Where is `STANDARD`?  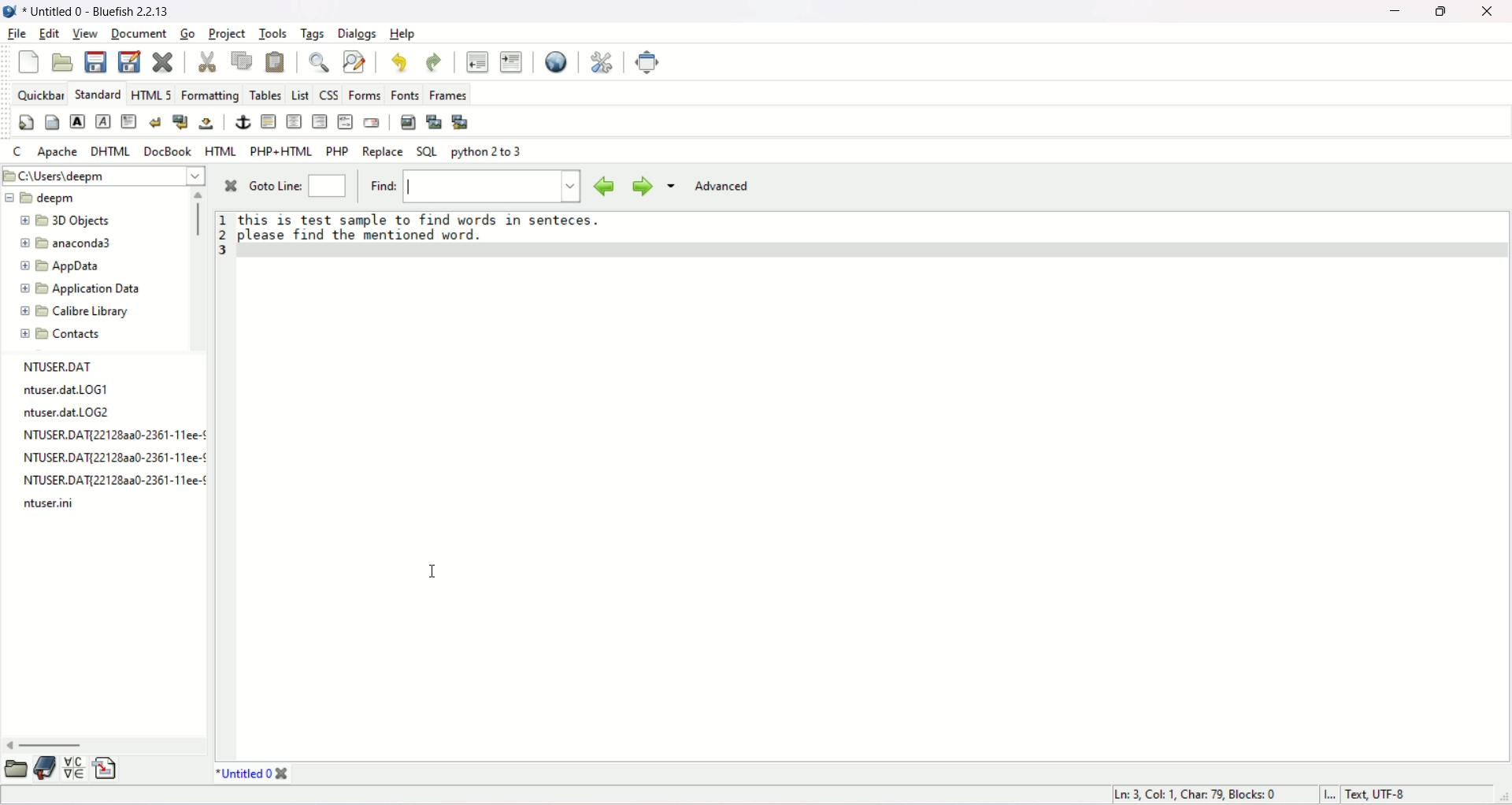
STANDARD is located at coordinates (99, 95).